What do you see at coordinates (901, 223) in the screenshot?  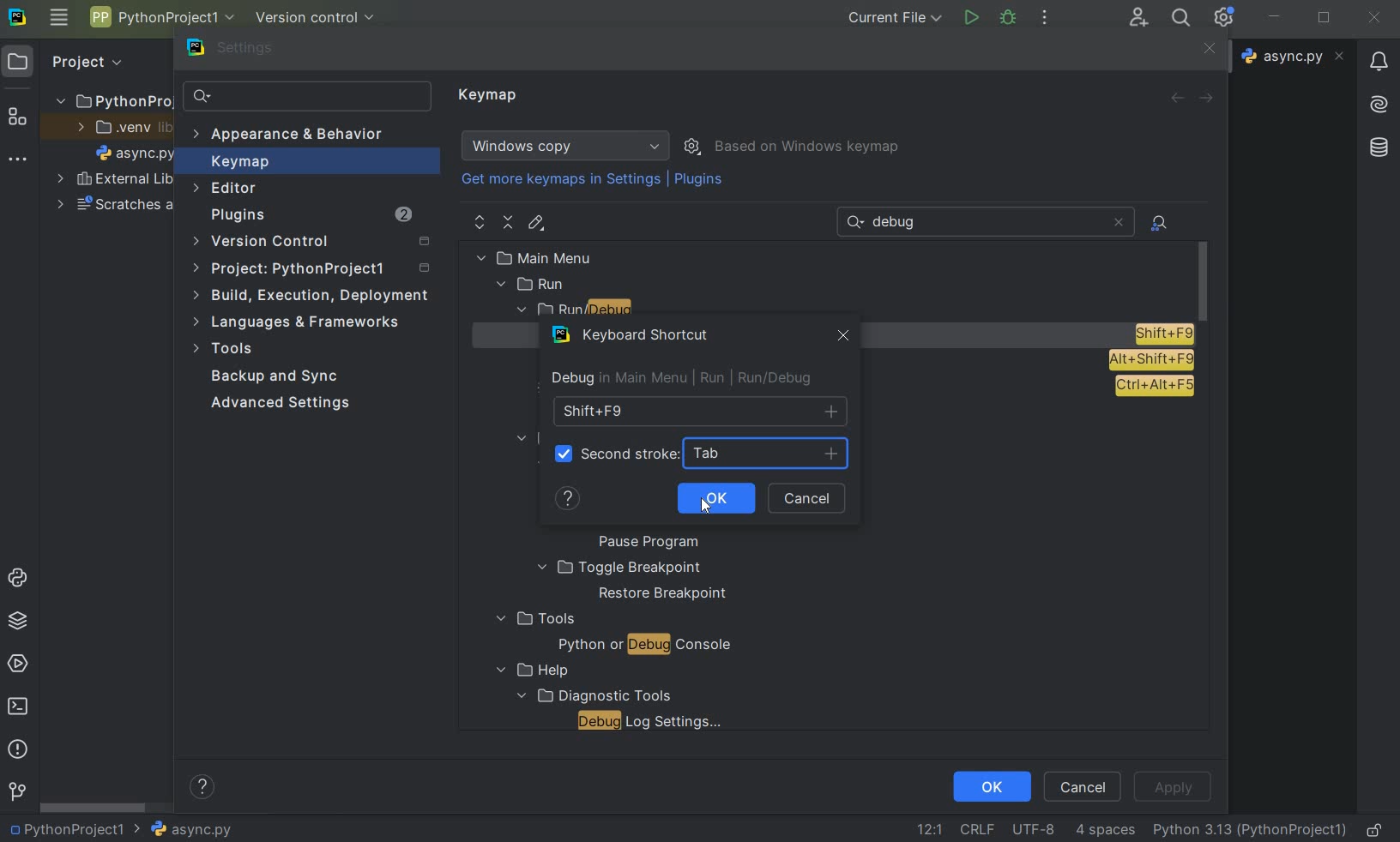 I see `text` at bounding box center [901, 223].